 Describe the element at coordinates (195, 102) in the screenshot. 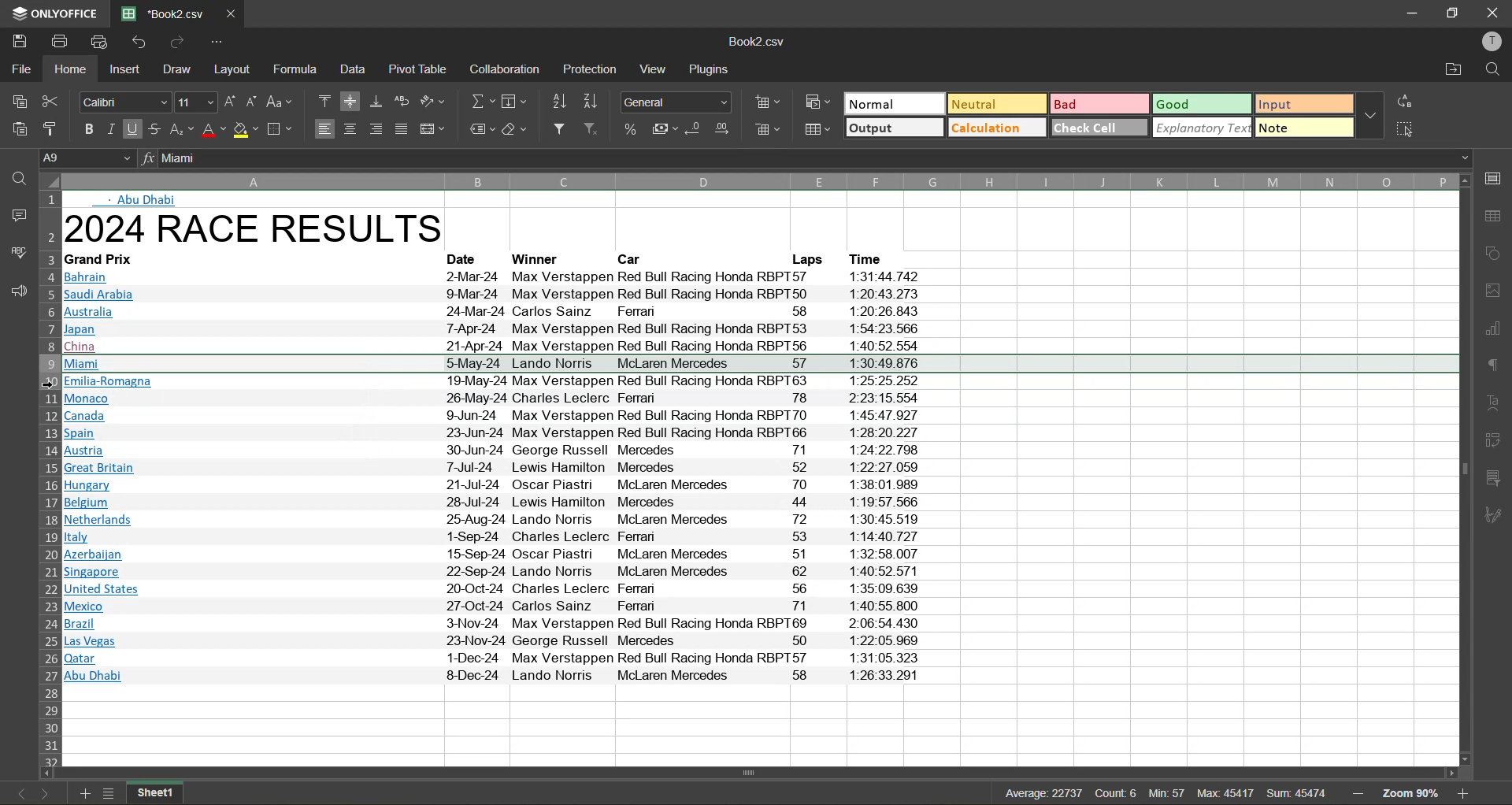

I see `size` at that location.